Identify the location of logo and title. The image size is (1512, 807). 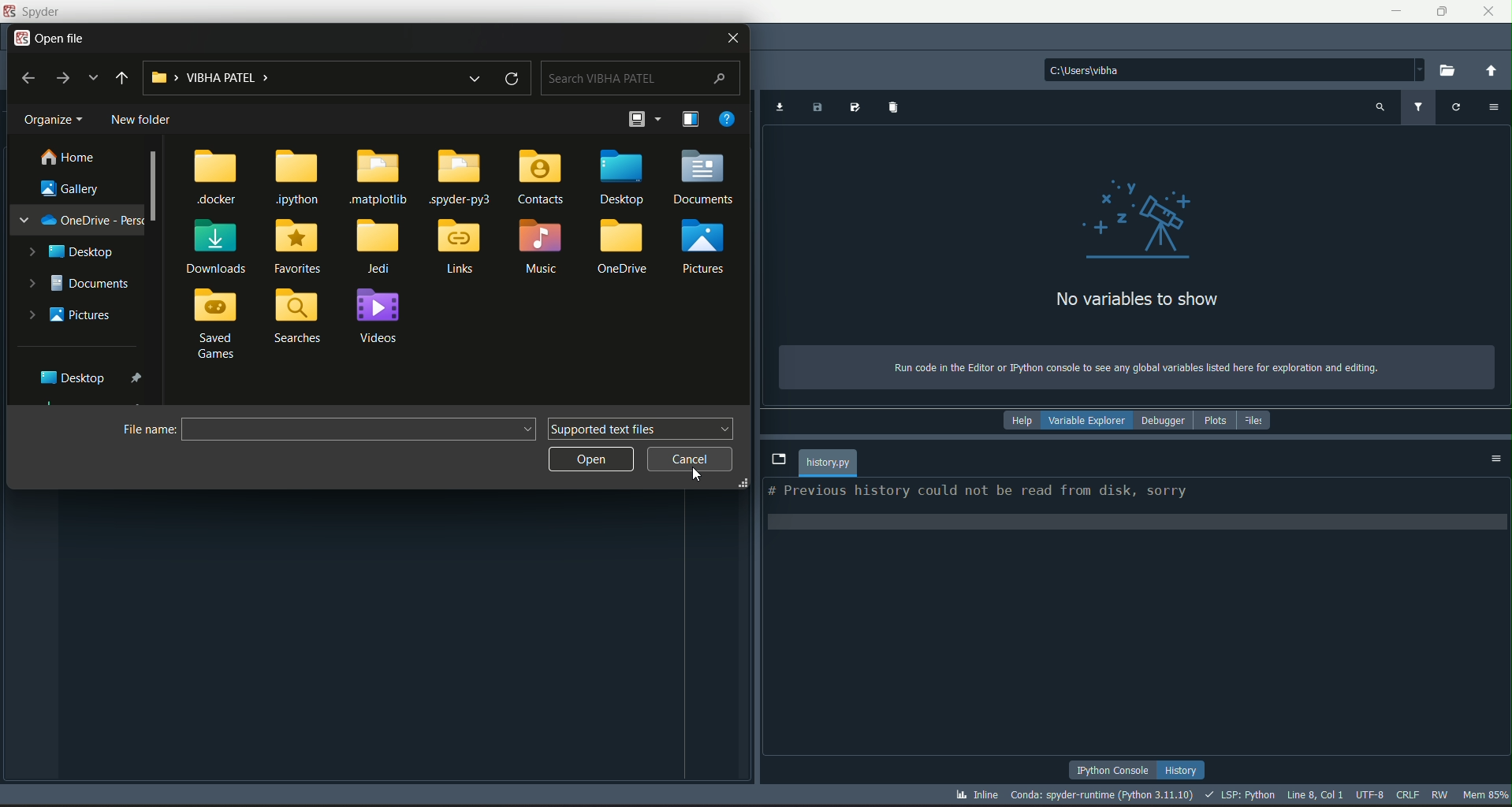
(35, 12).